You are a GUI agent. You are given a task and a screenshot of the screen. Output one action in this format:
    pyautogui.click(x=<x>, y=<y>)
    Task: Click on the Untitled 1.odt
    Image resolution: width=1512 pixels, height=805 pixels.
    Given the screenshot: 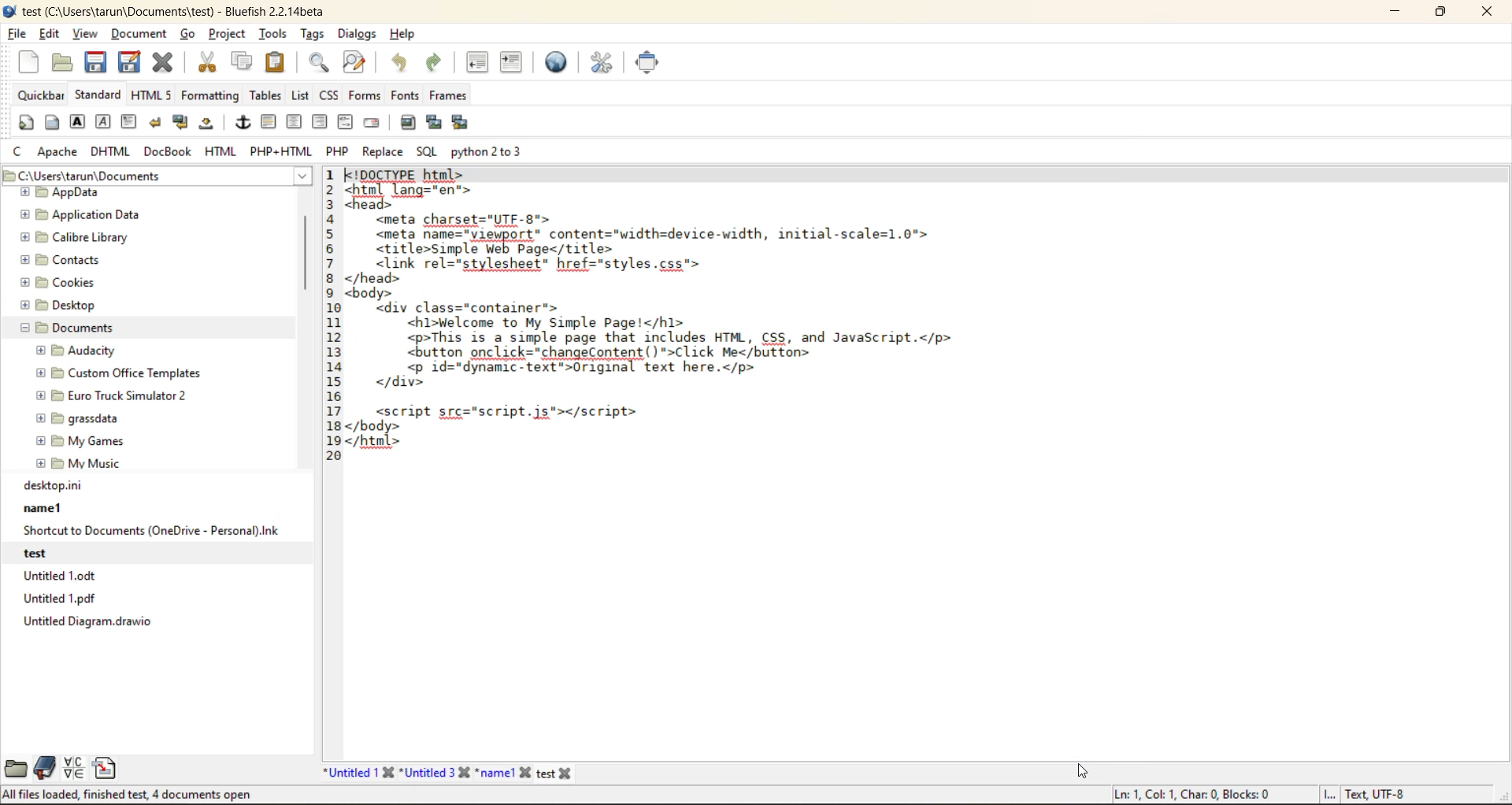 What is the action you would take?
    pyautogui.click(x=157, y=575)
    